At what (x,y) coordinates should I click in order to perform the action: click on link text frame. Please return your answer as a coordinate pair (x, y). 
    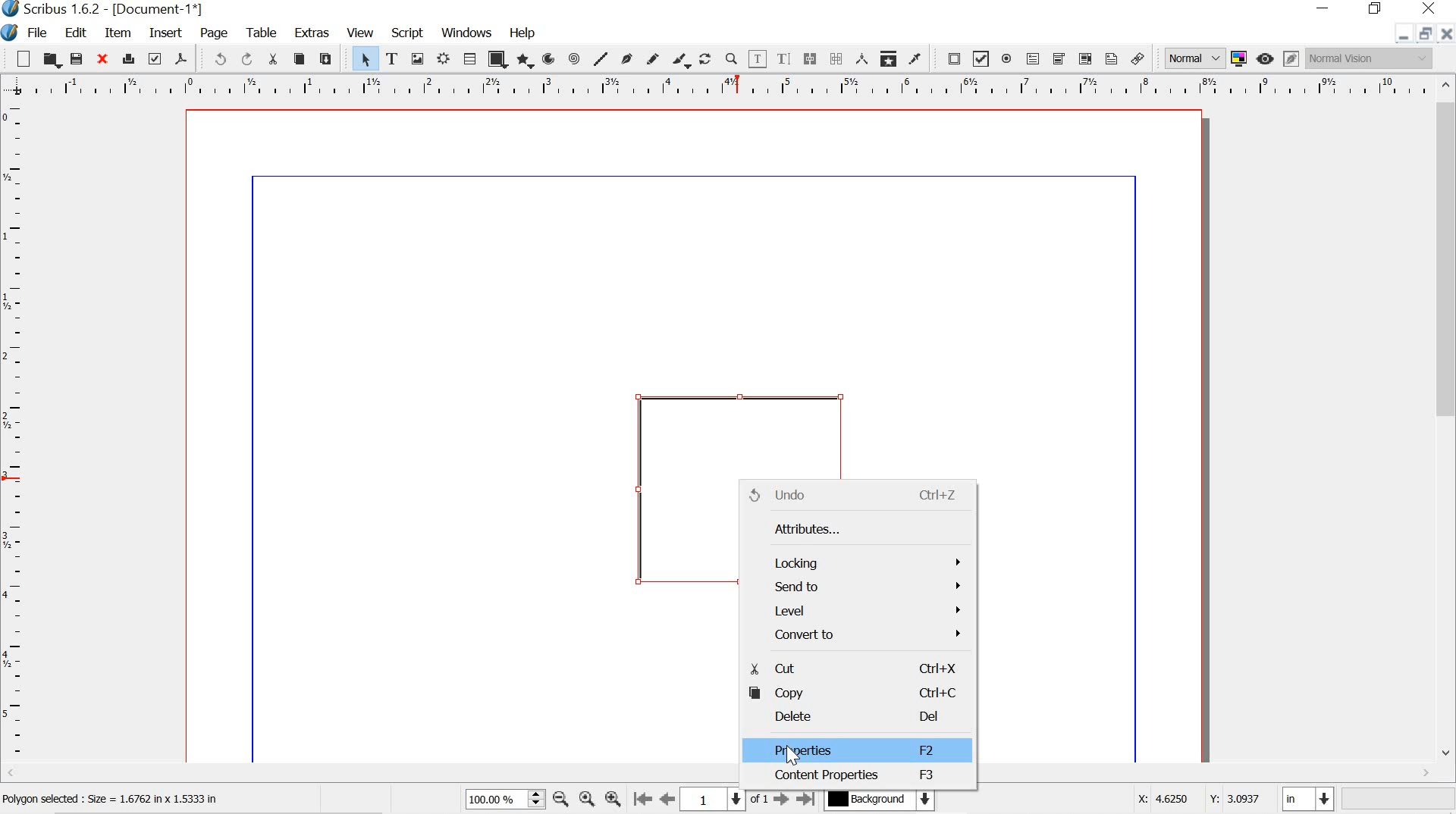
    Looking at the image, I should click on (809, 58).